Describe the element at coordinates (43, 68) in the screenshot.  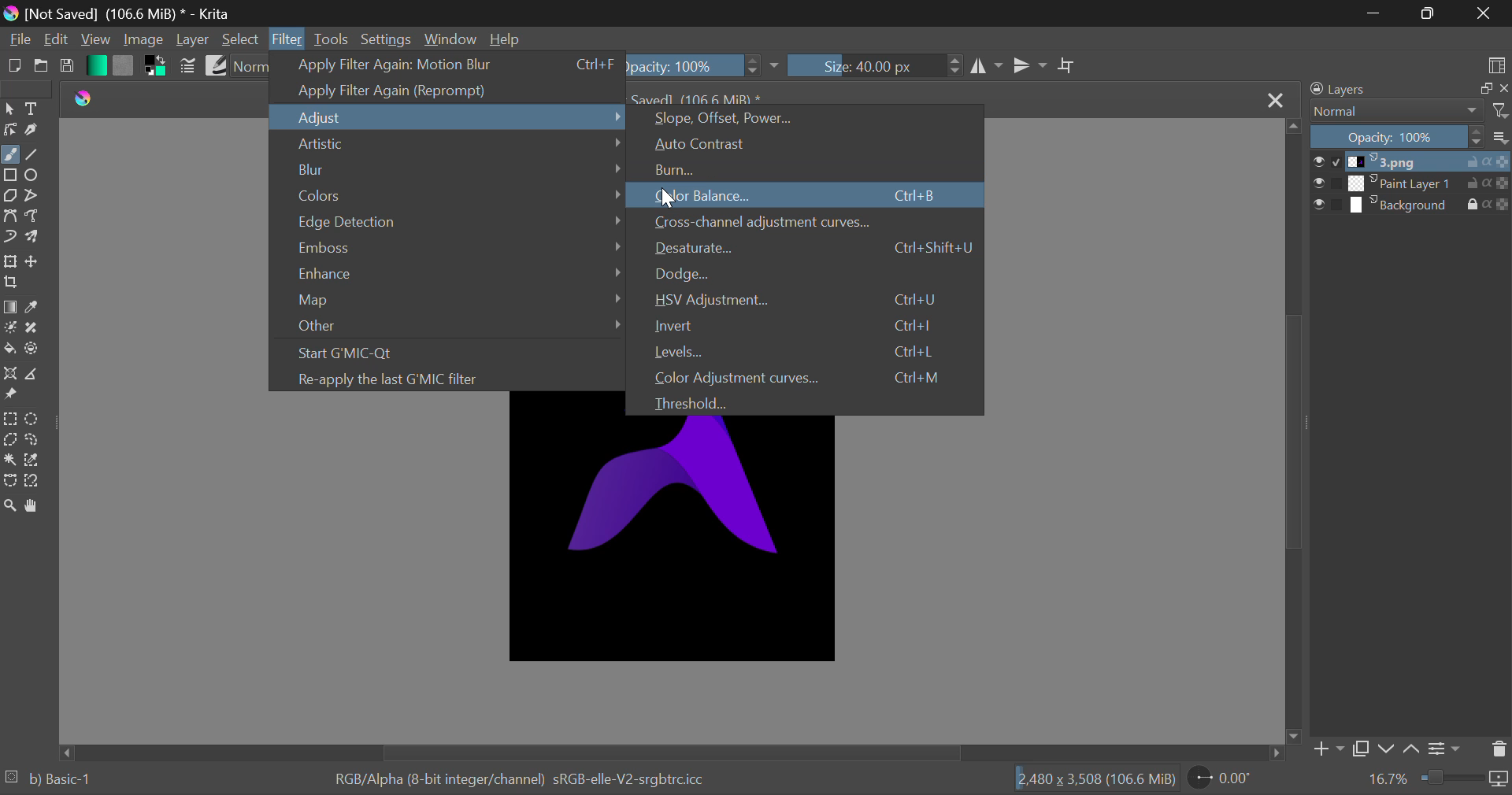
I see `Open` at that location.